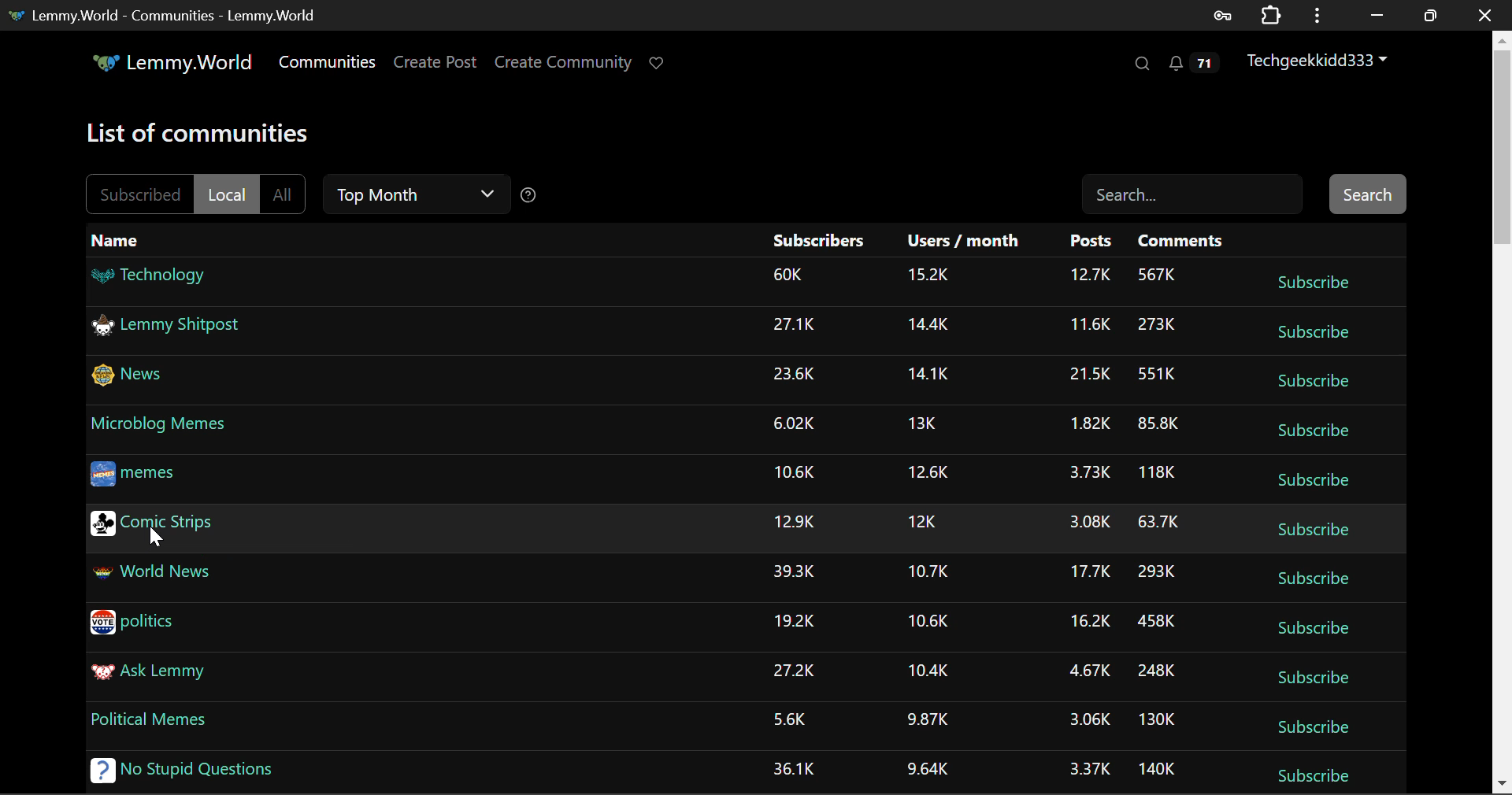 Image resolution: width=1512 pixels, height=795 pixels. I want to click on Sorting Help, so click(532, 197).